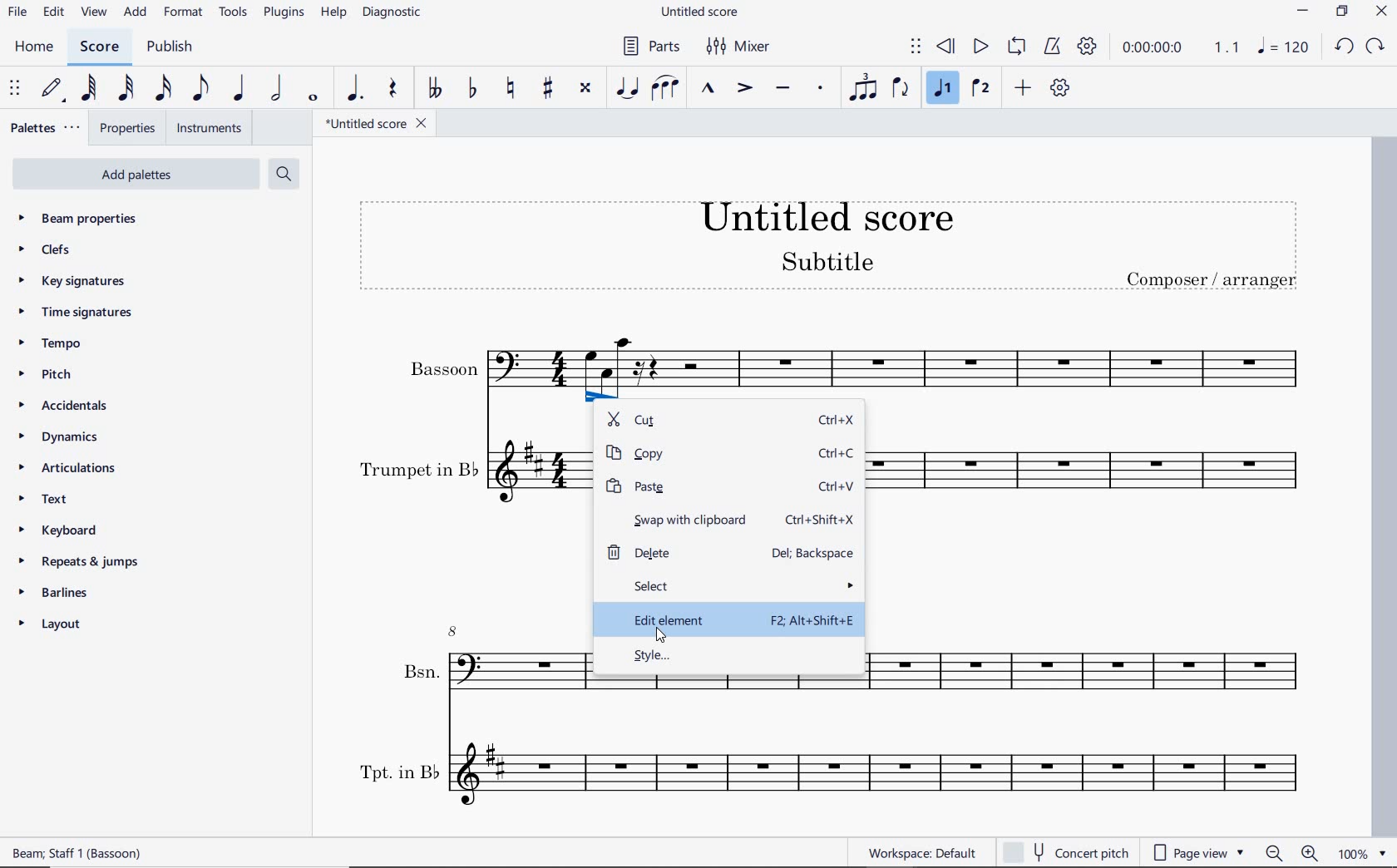  Describe the element at coordinates (847, 777) in the screenshot. I see `Tpt. in B` at that location.